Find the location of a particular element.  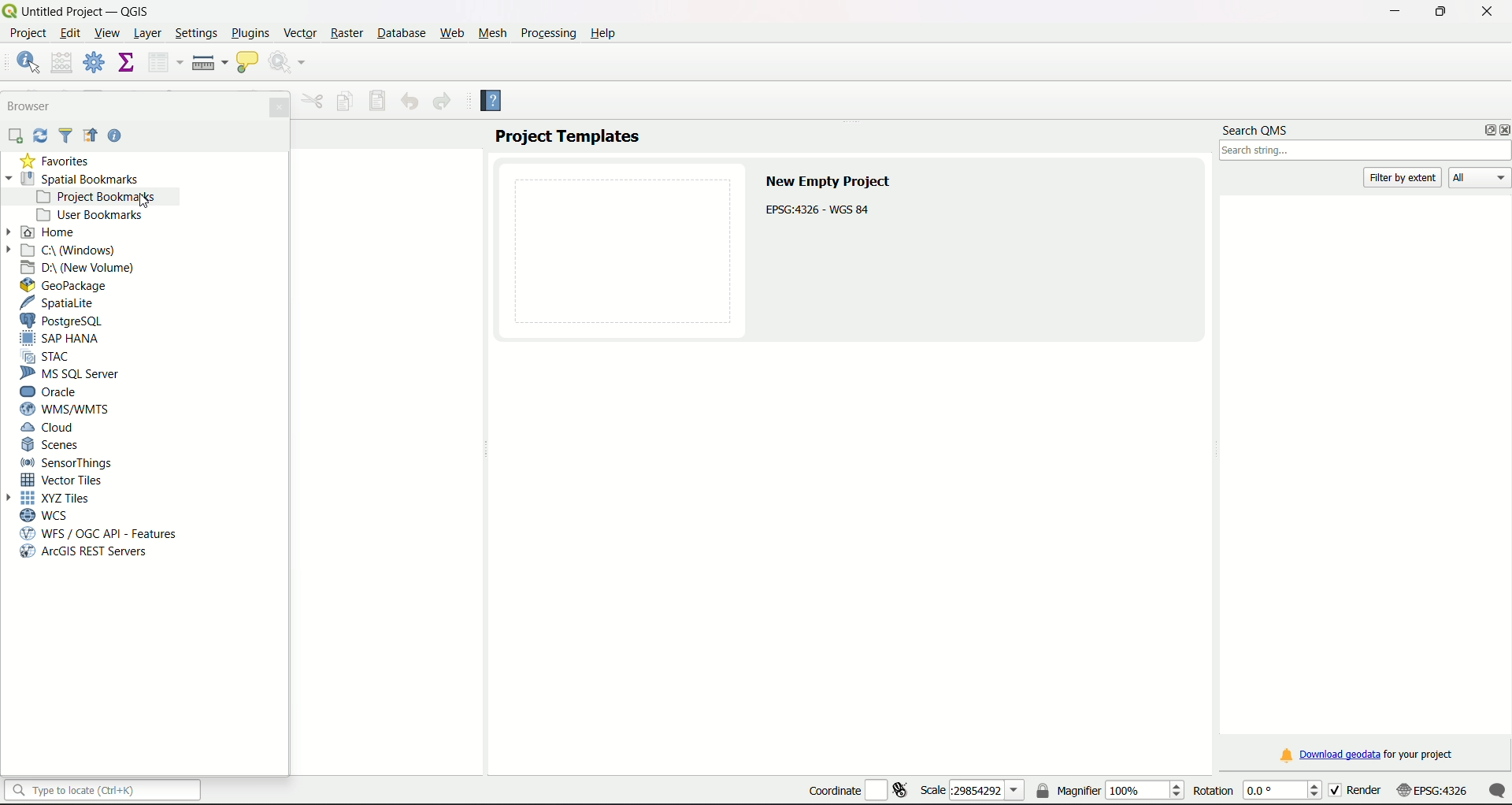

Undo is located at coordinates (409, 101).